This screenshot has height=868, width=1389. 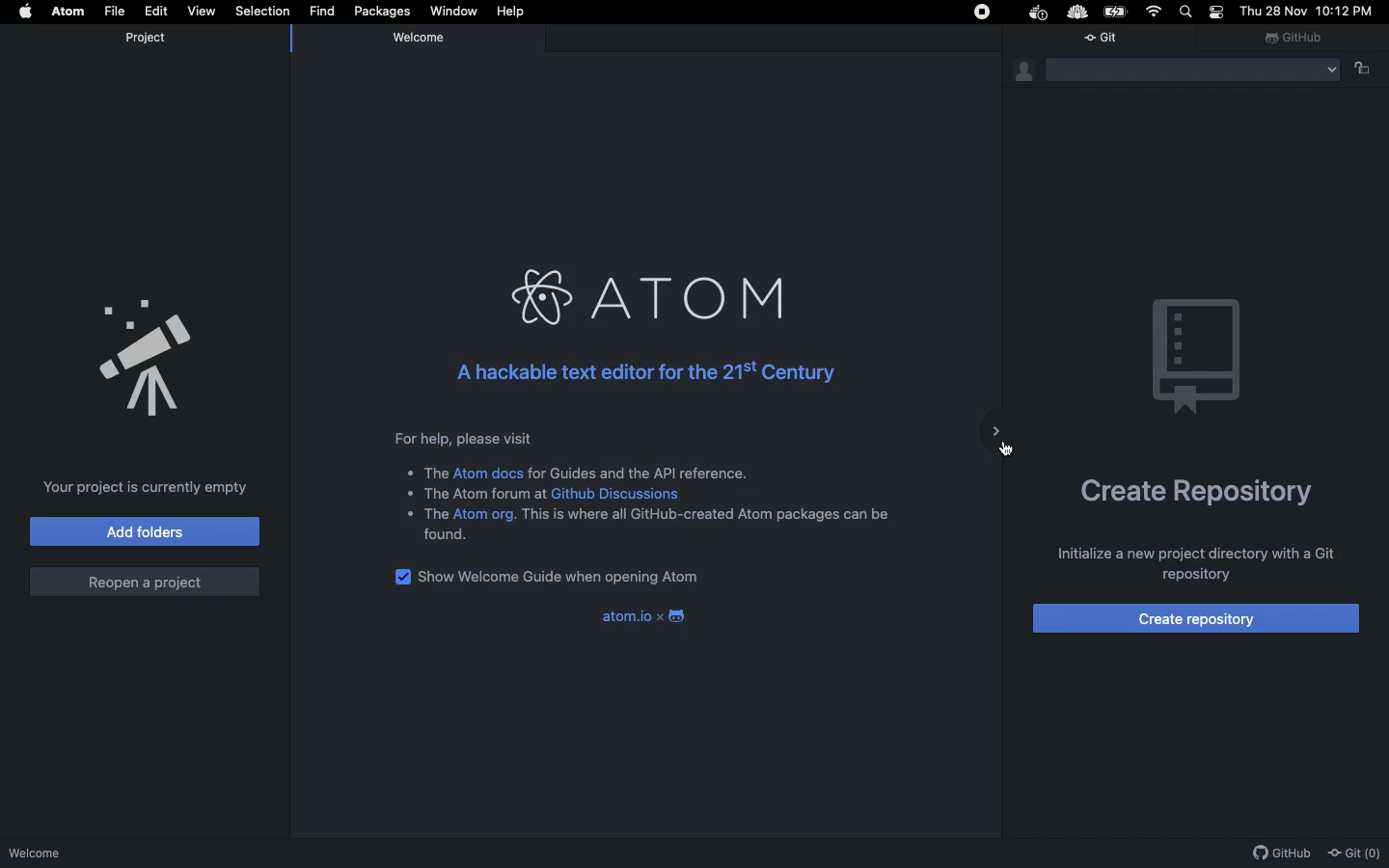 What do you see at coordinates (18, 12) in the screenshot?
I see `Apple logo` at bounding box center [18, 12].